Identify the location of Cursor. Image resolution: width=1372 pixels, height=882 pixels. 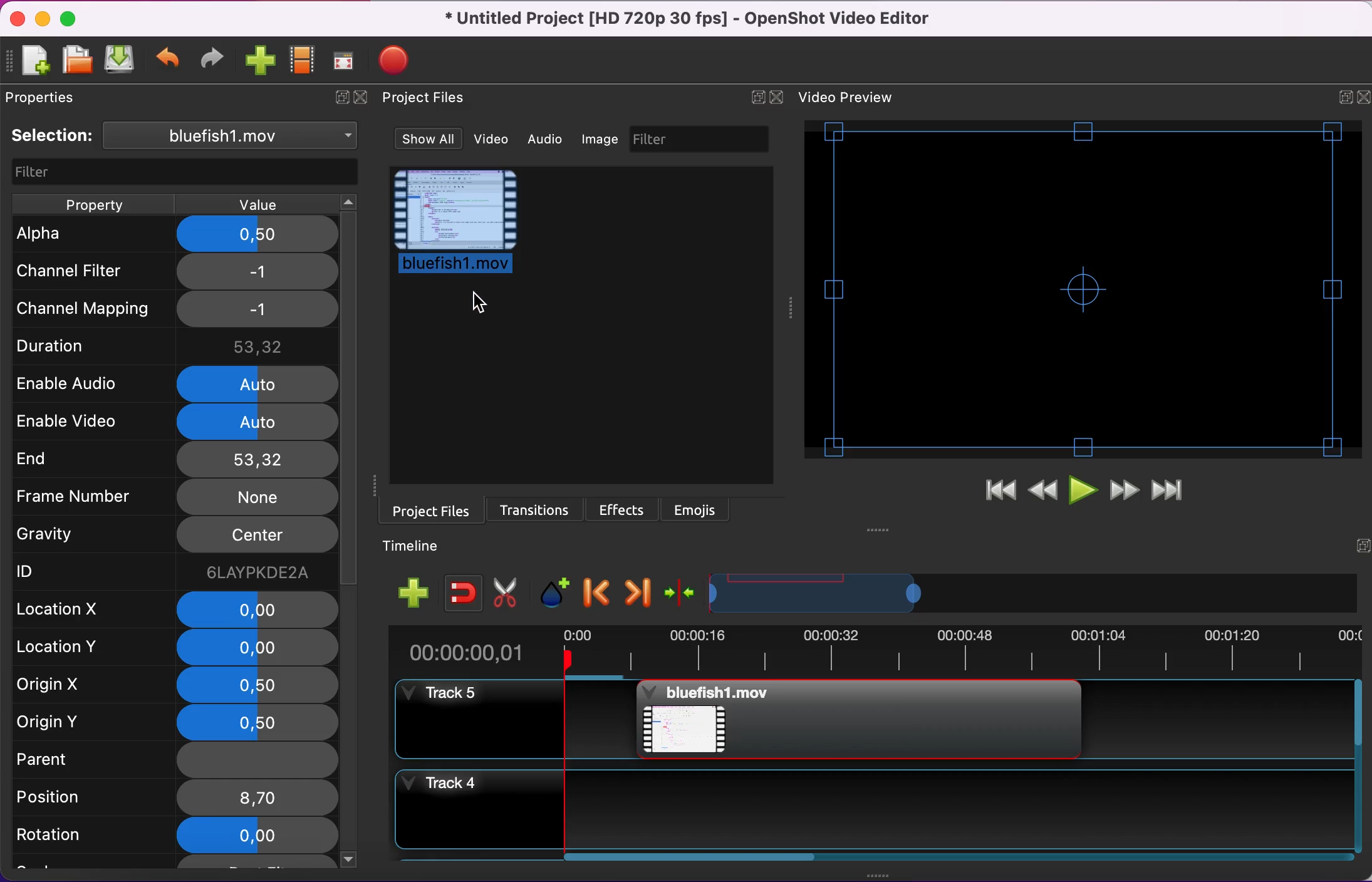
(482, 303).